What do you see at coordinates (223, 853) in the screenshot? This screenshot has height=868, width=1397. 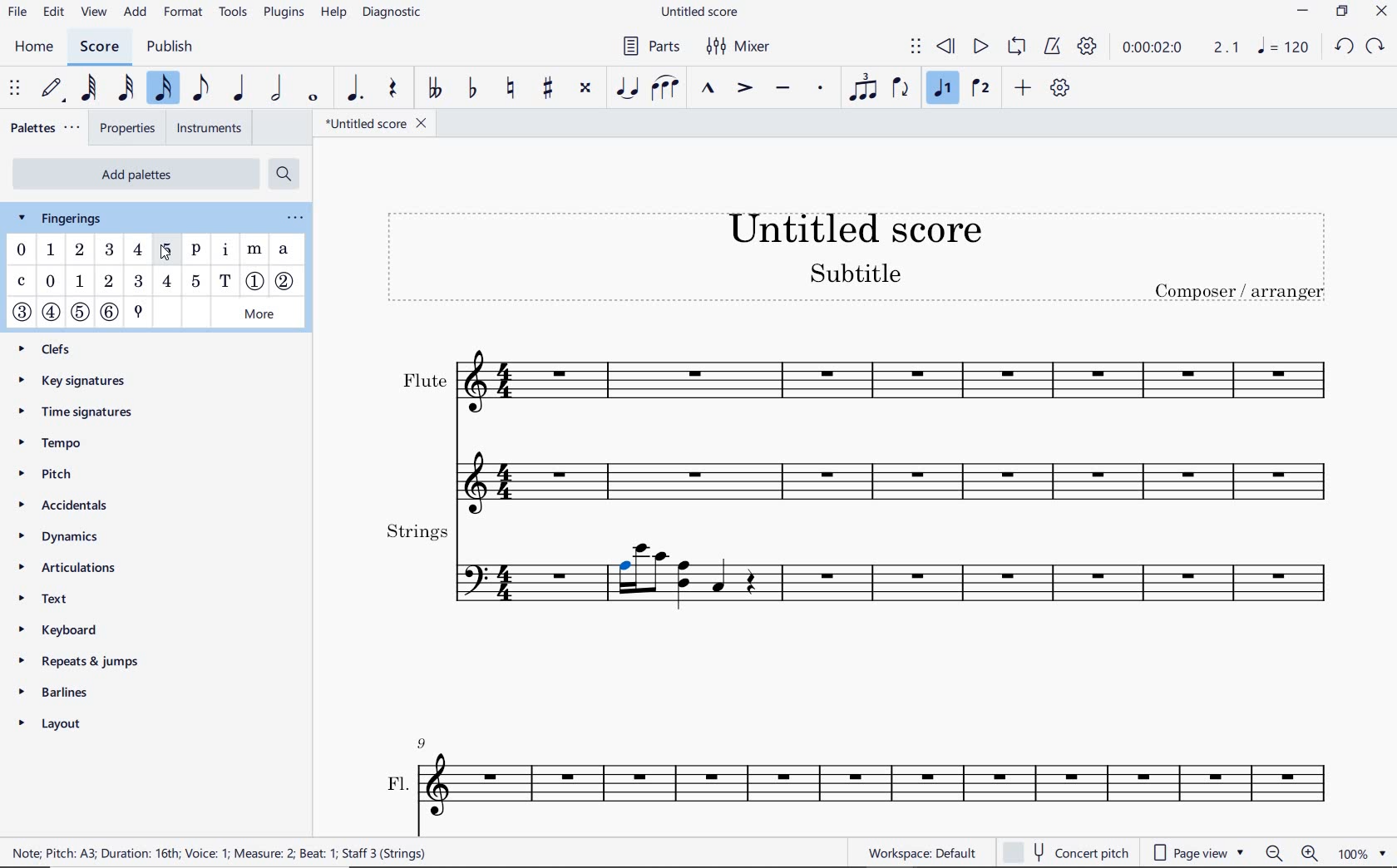 I see `score description` at bounding box center [223, 853].